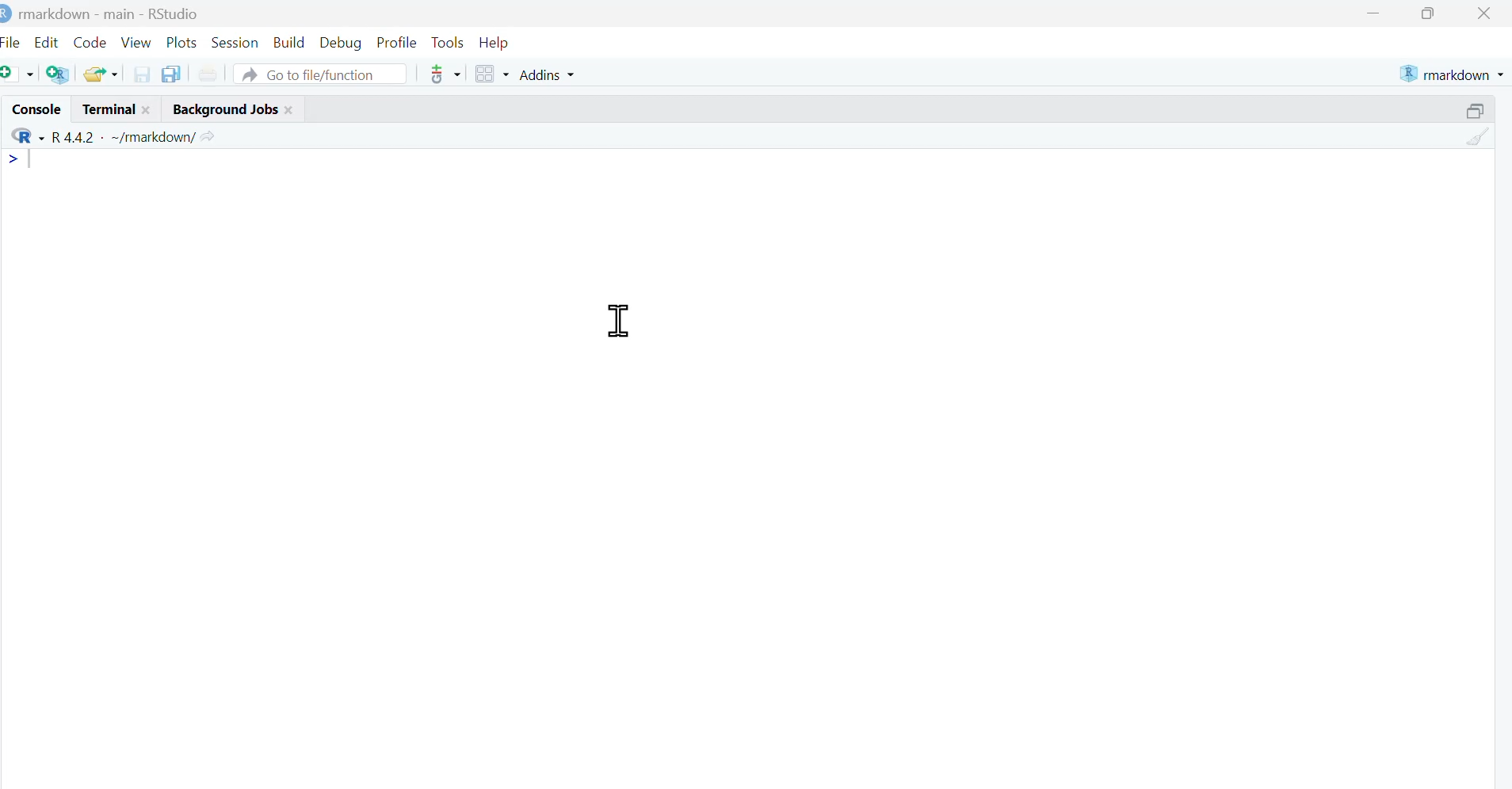  Describe the element at coordinates (1480, 108) in the screenshot. I see `resize` at that location.